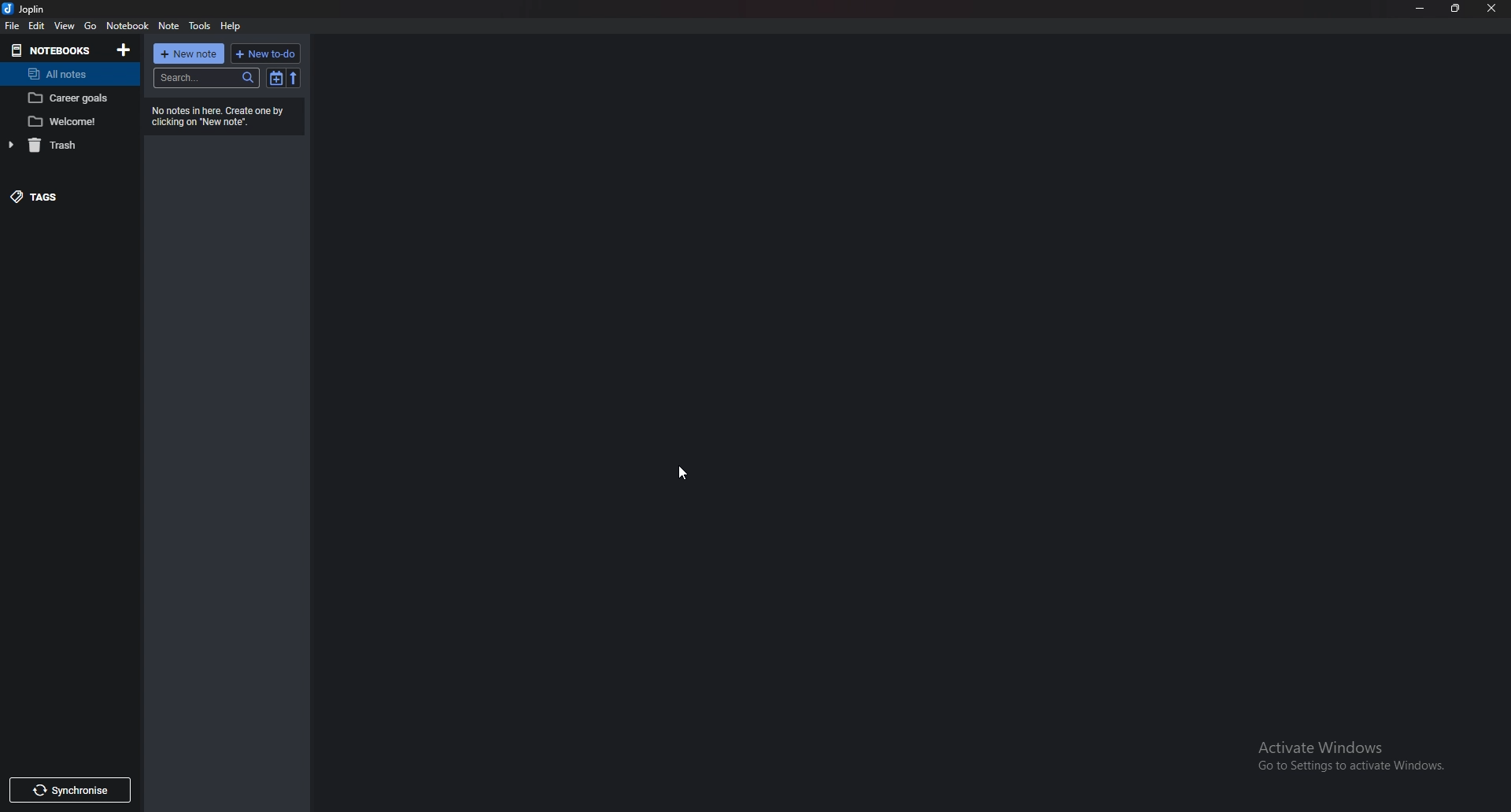  What do you see at coordinates (1347, 759) in the screenshot?
I see `Activate Windows` at bounding box center [1347, 759].